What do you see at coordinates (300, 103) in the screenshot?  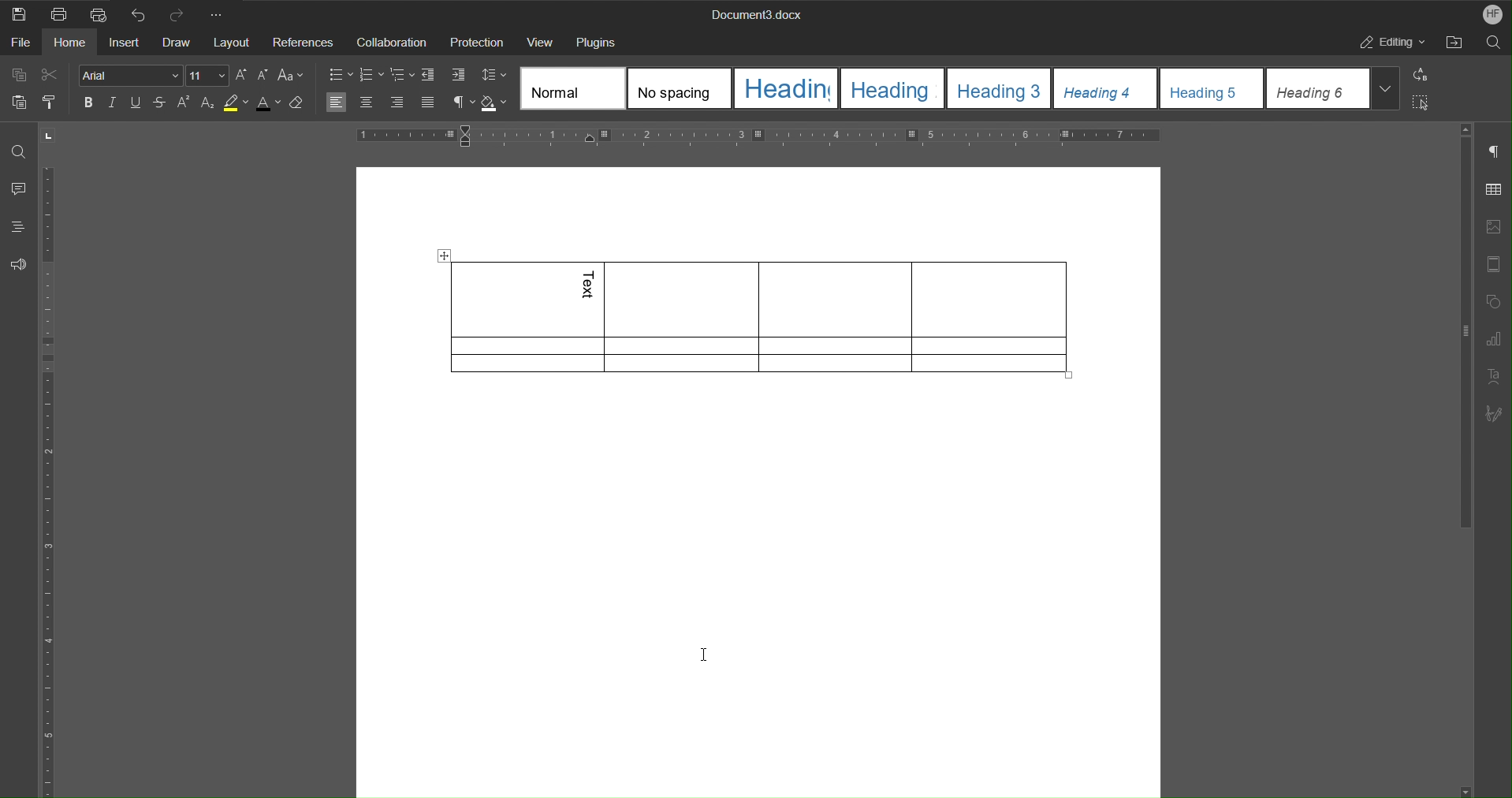 I see `Erase Style` at bounding box center [300, 103].